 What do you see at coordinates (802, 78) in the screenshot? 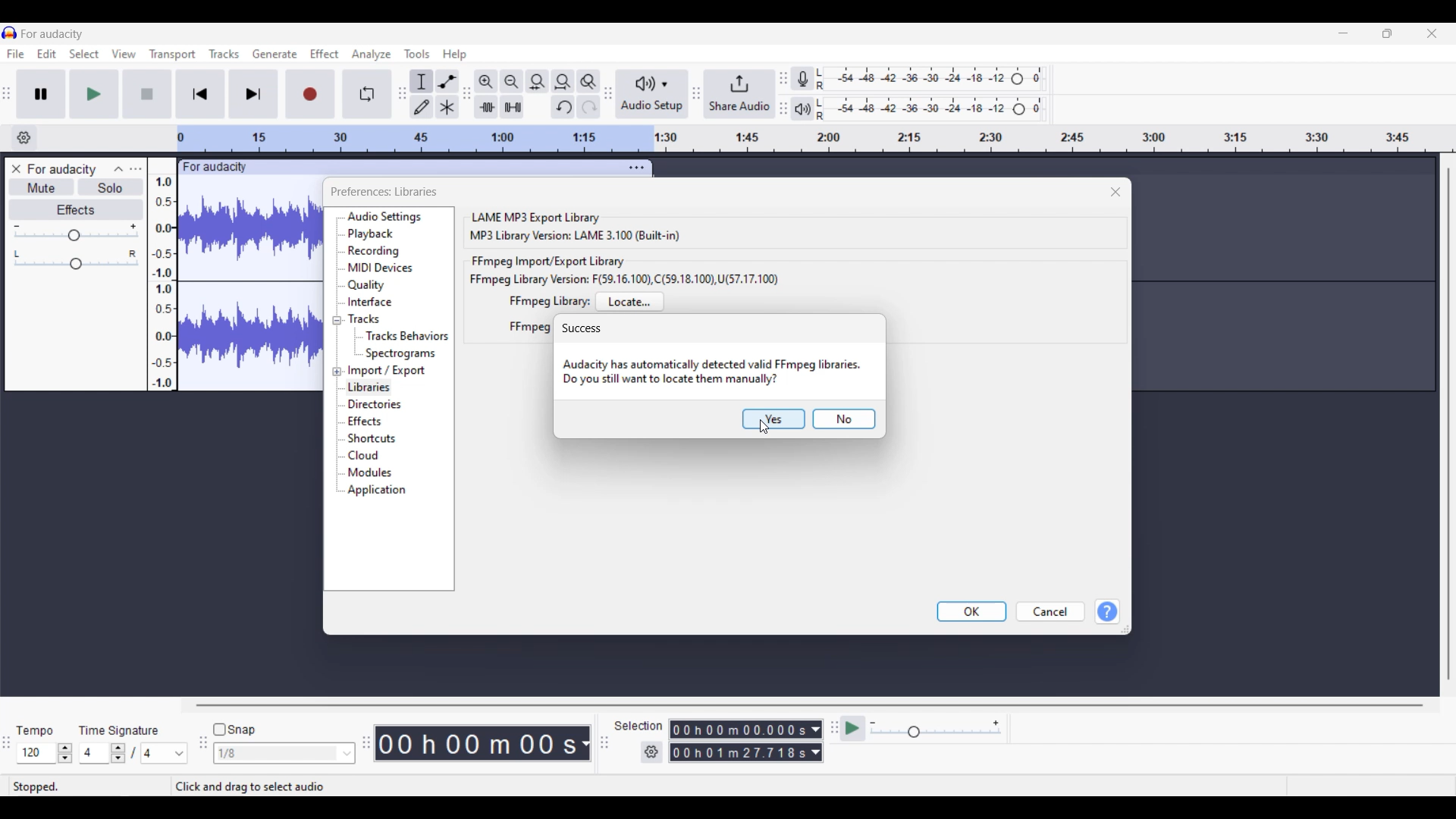
I see `Record meter` at bounding box center [802, 78].